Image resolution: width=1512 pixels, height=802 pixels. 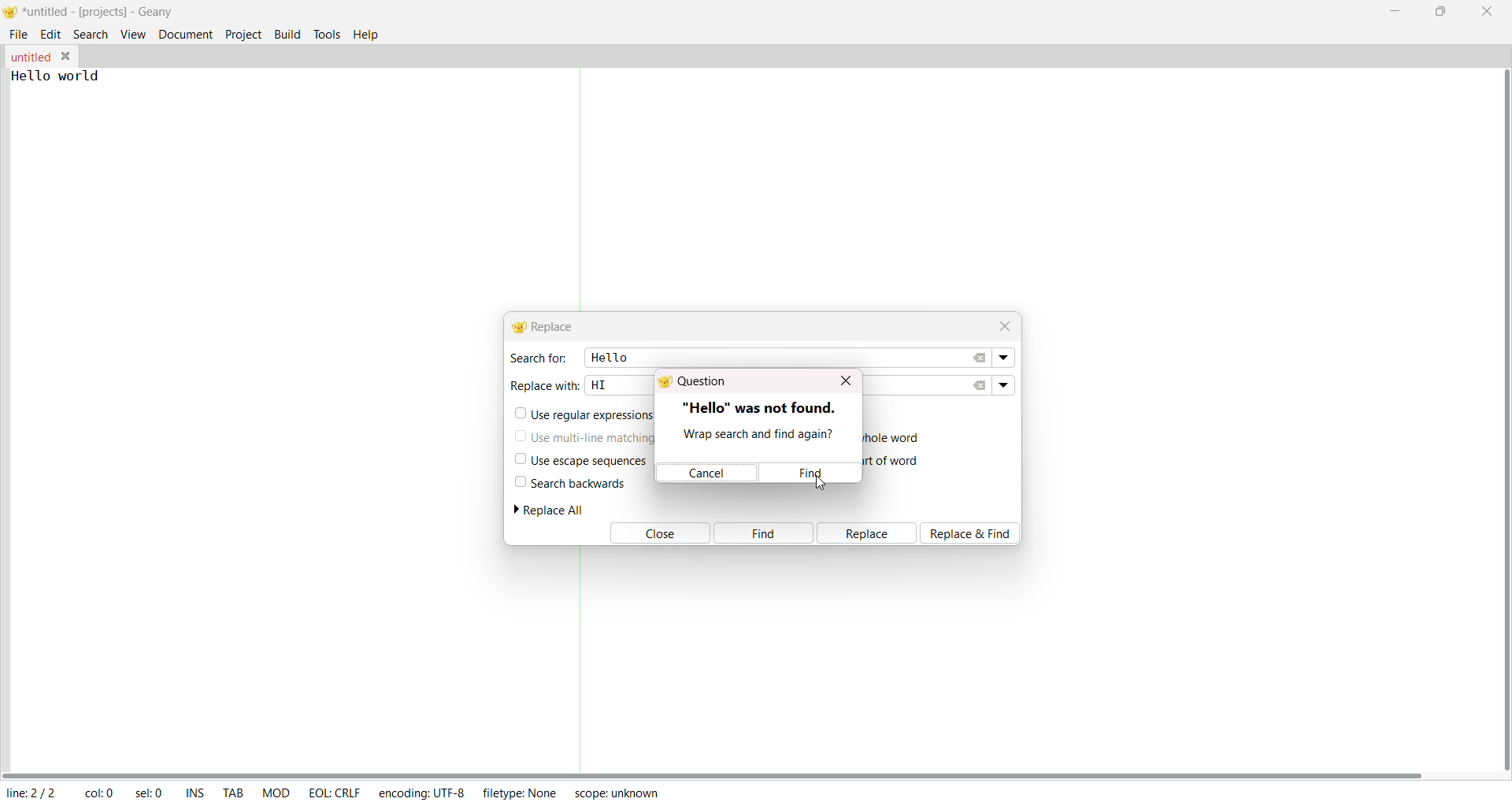 What do you see at coordinates (975, 533) in the screenshot?
I see `Replace & Find` at bounding box center [975, 533].